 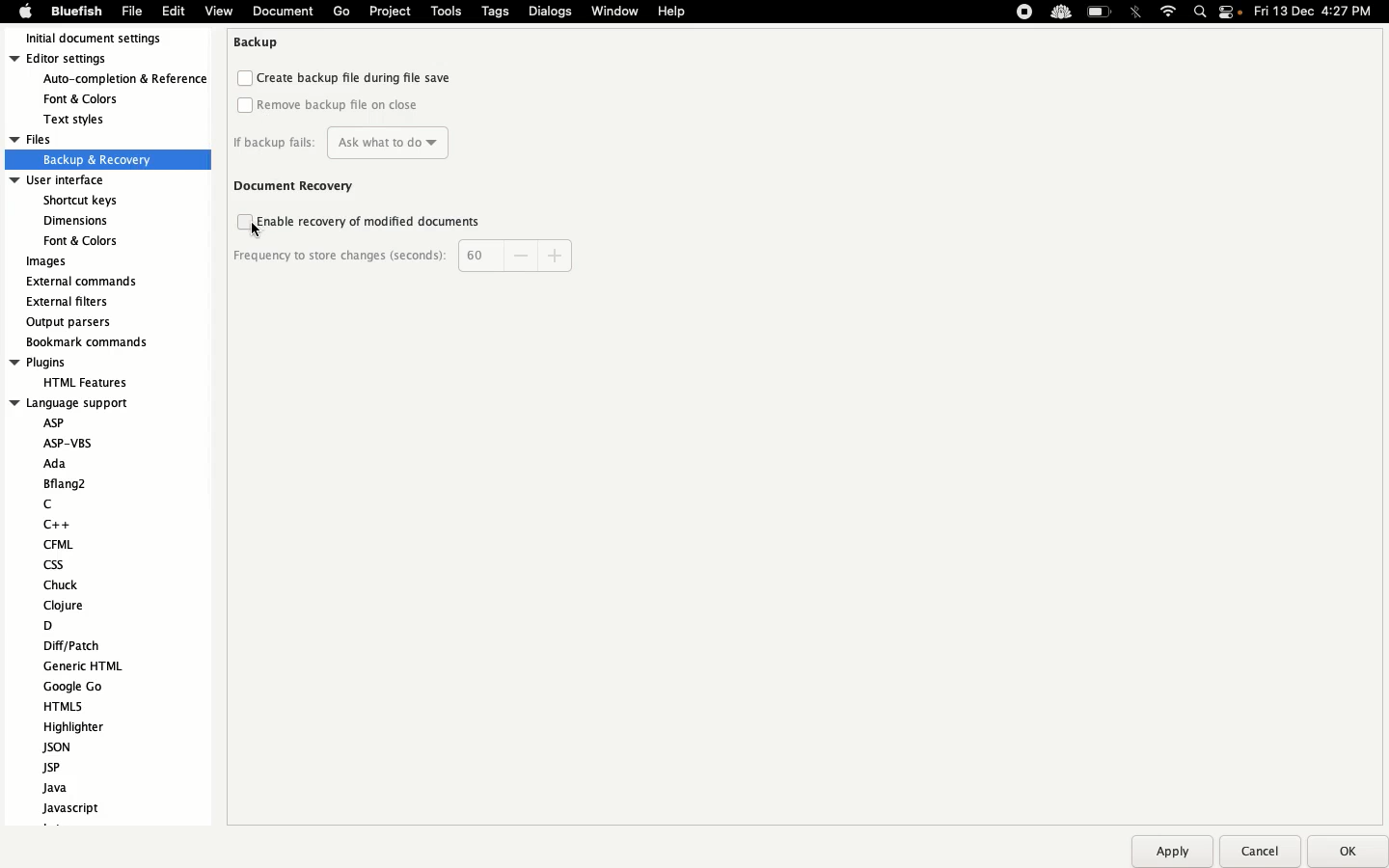 I want to click on Images, so click(x=49, y=262).